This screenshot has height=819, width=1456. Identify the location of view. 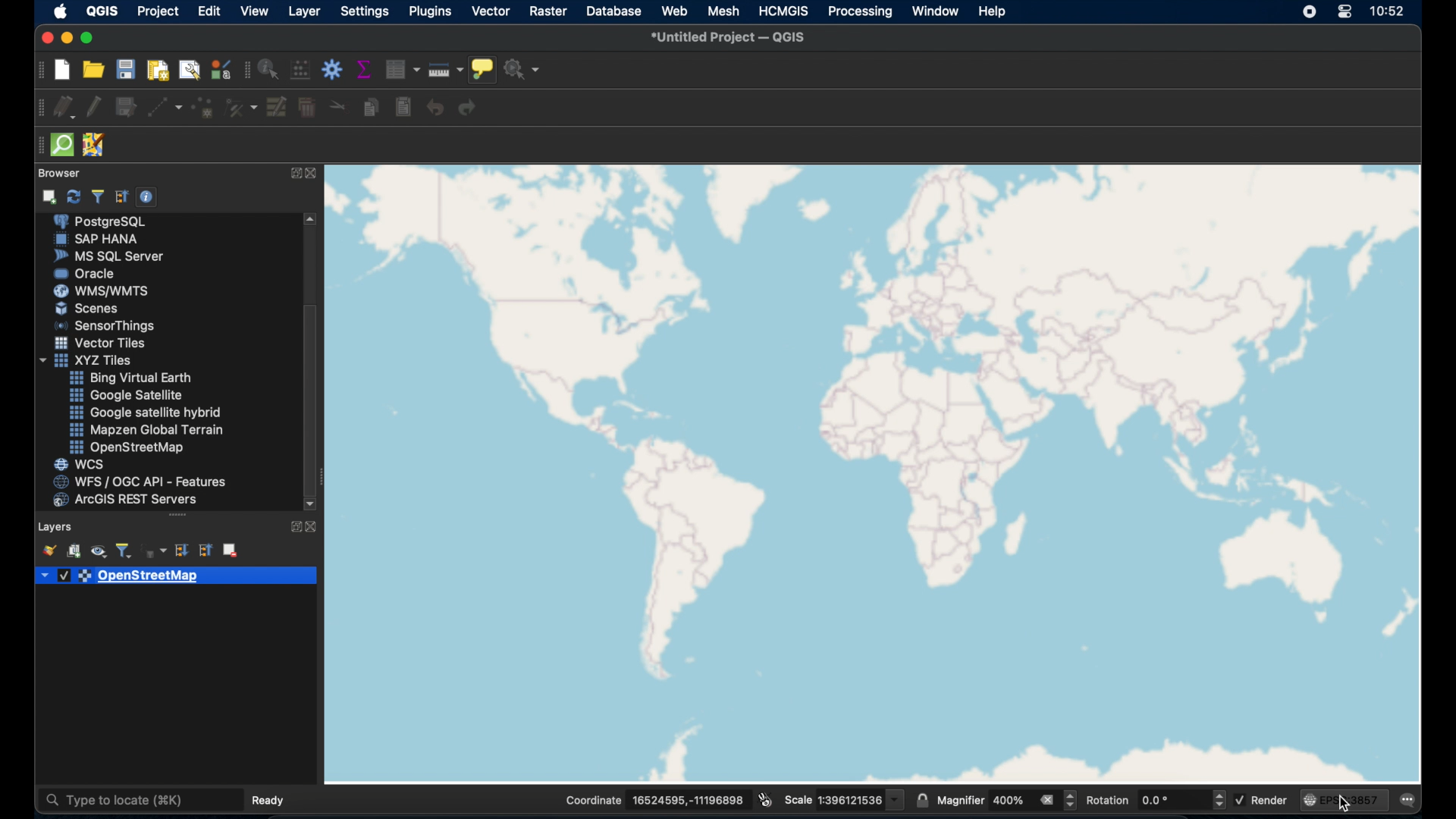
(256, 11).